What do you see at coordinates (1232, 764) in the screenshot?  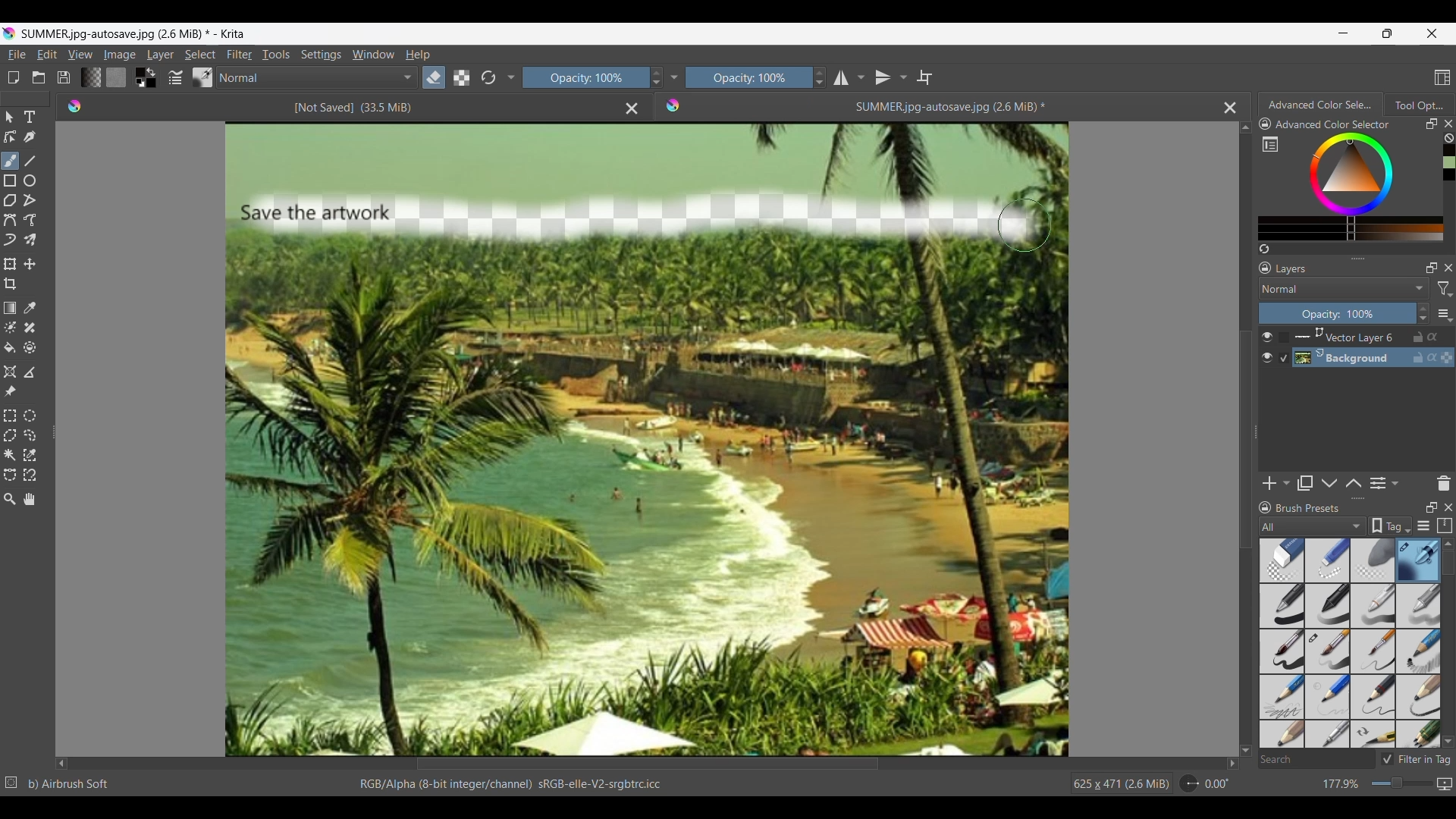 I see `Quick slide to right` at bounding box center [1232, 764].